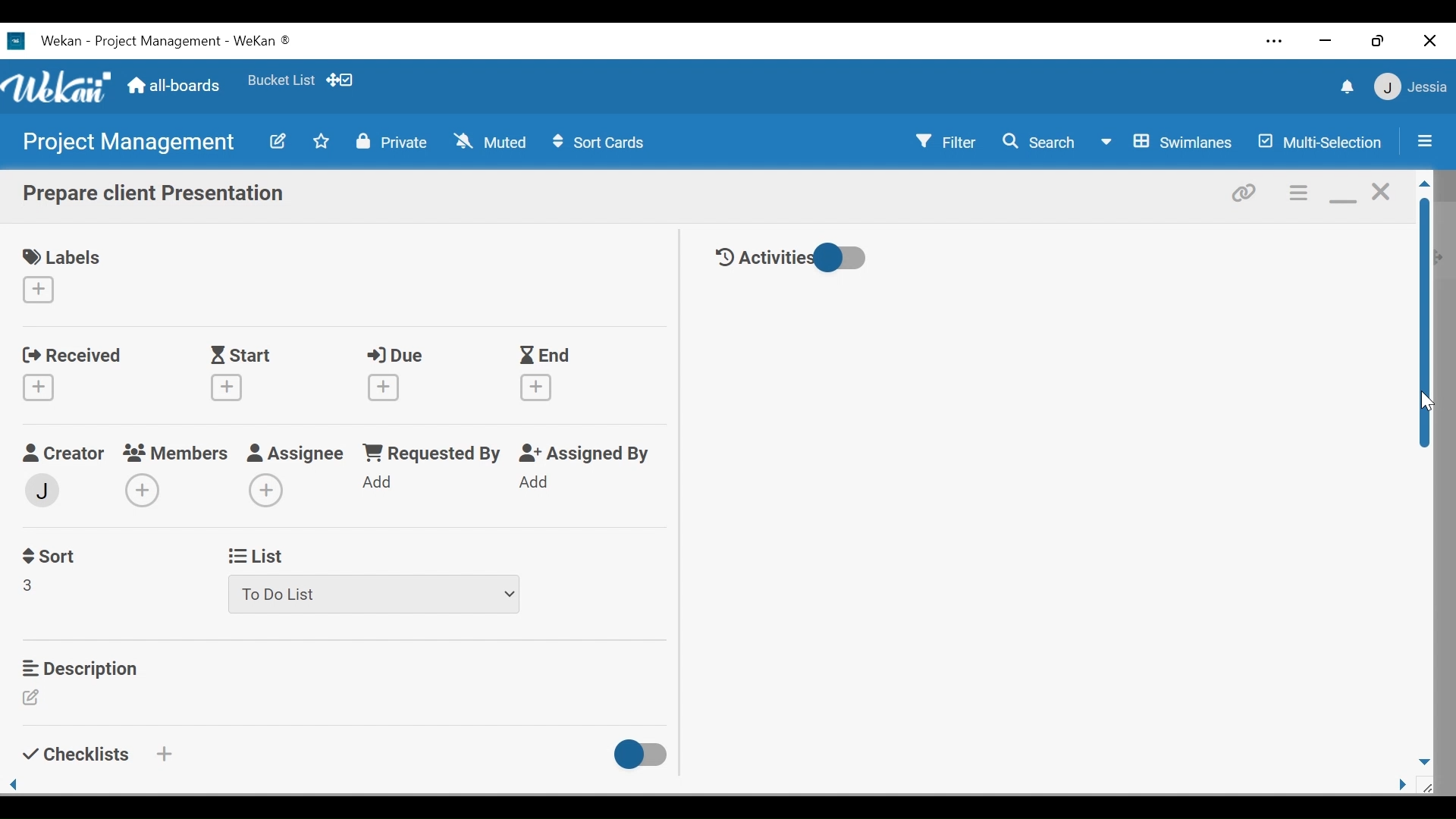 This screenshot has width=1456, height=819. Describe the element at coordinates (1425, 324) in the screenshot. I see `Vertical Scroll bar` at that location.